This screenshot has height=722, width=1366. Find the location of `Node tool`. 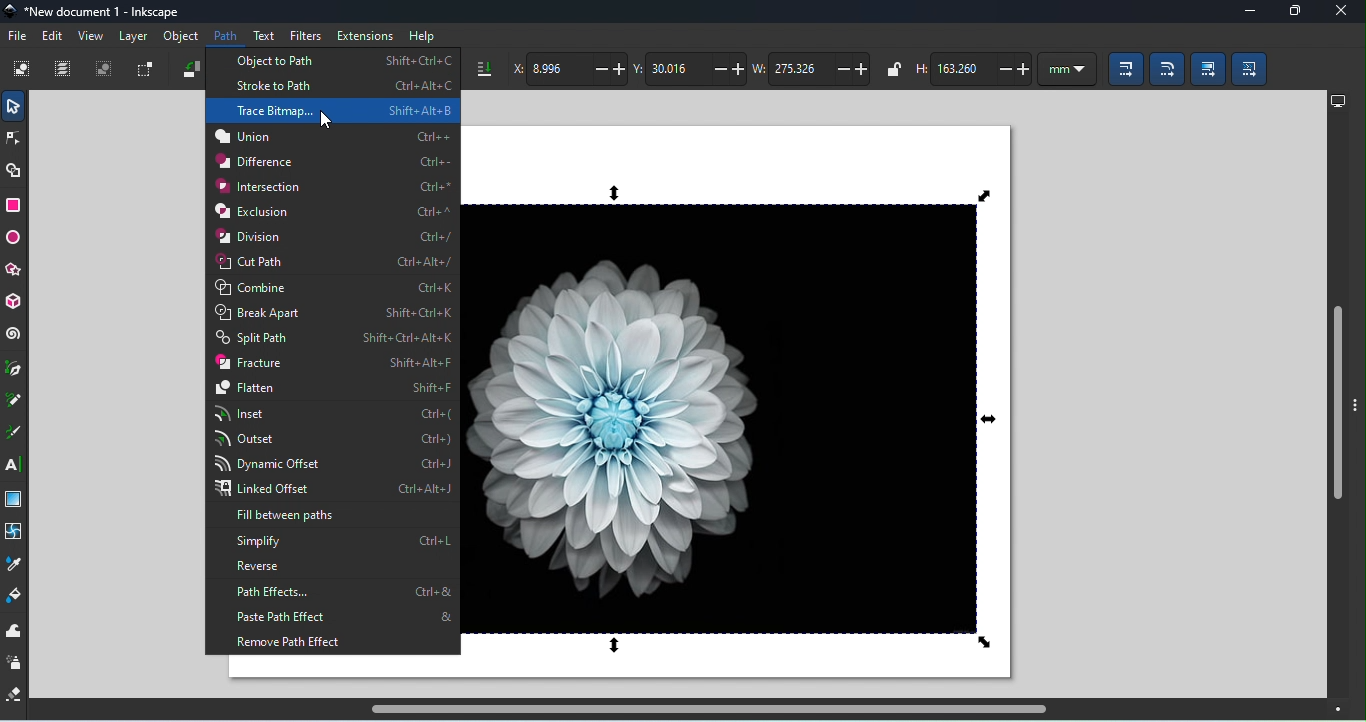

Node tool is located at coordinates (16, 137).